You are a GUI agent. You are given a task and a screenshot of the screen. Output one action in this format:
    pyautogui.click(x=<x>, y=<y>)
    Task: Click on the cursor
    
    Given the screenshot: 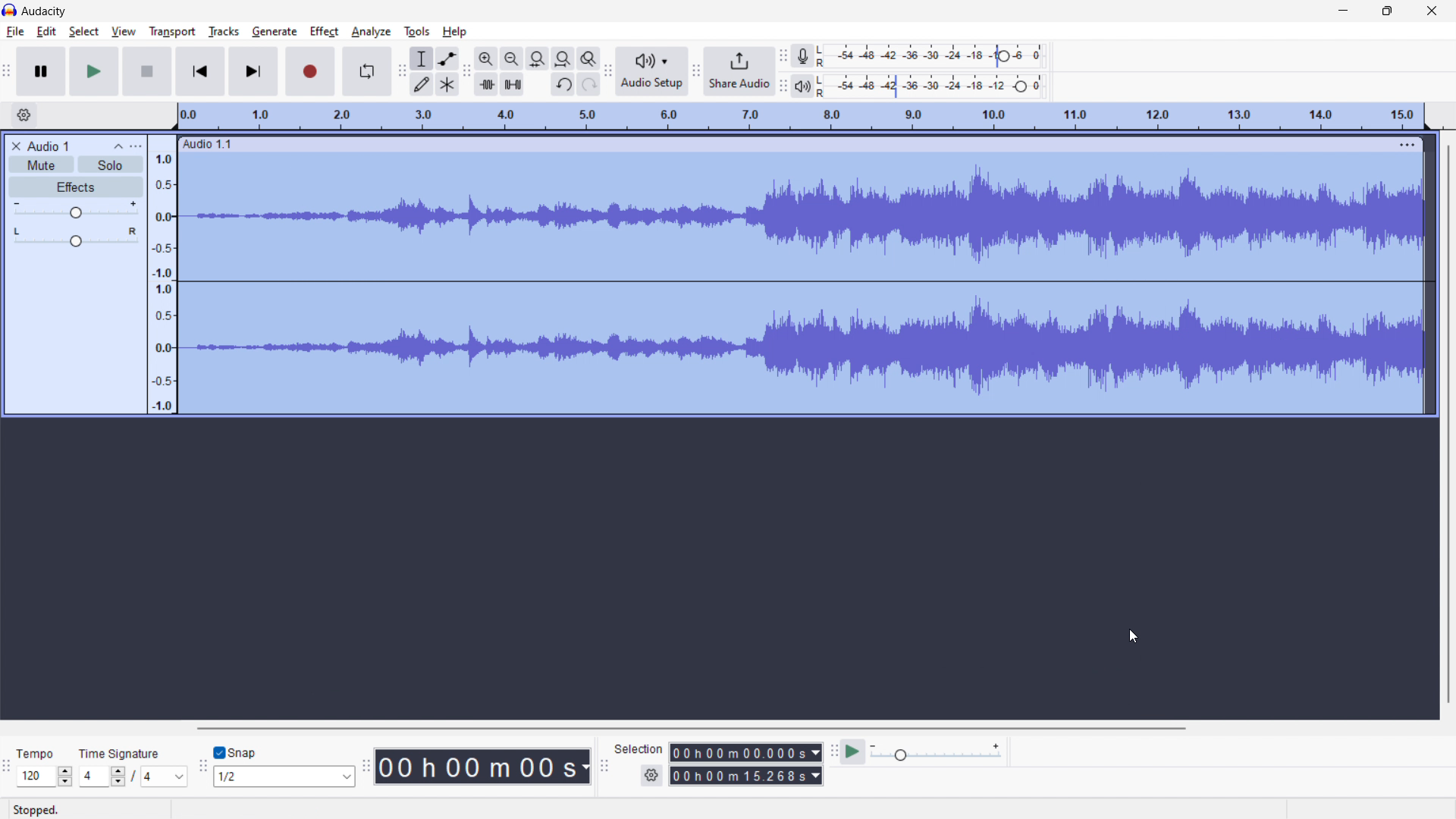 What is the action you would take?
    pyautogui.click(x=1127, y=634)
    